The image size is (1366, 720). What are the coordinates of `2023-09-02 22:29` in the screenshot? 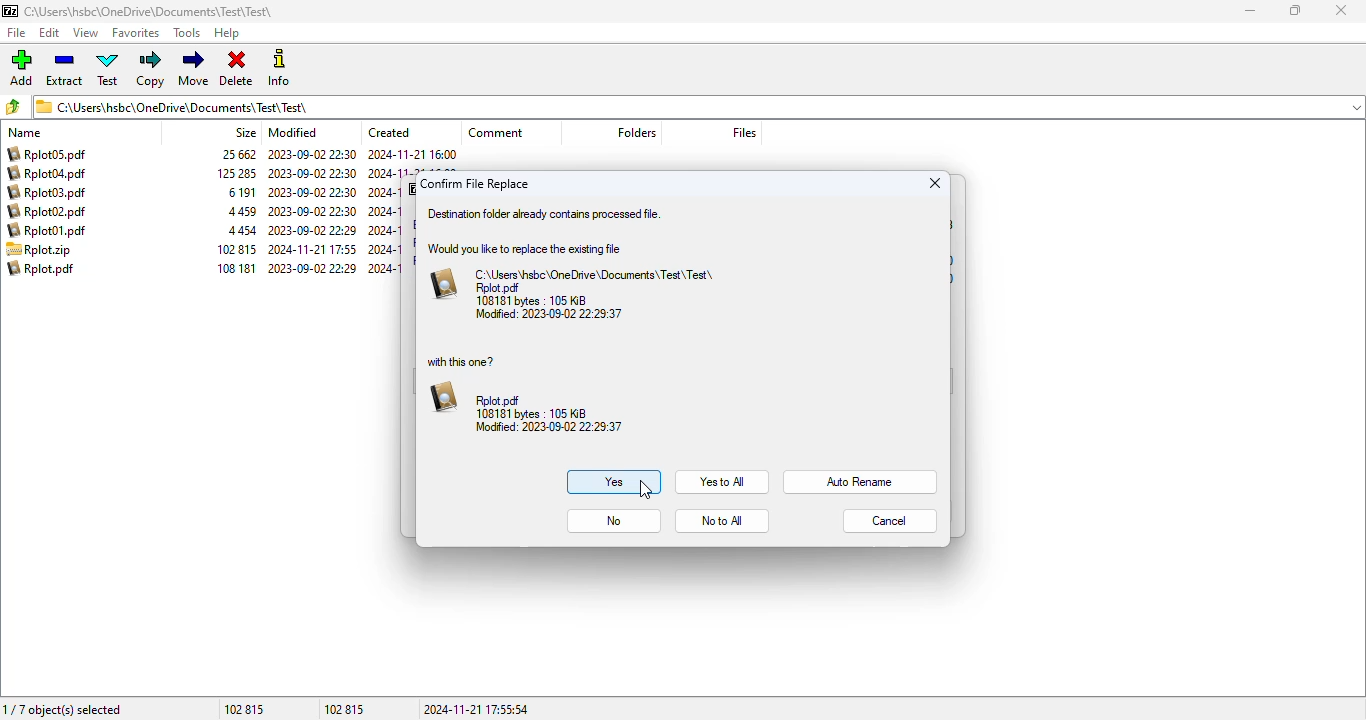 It's located at (312, 230).